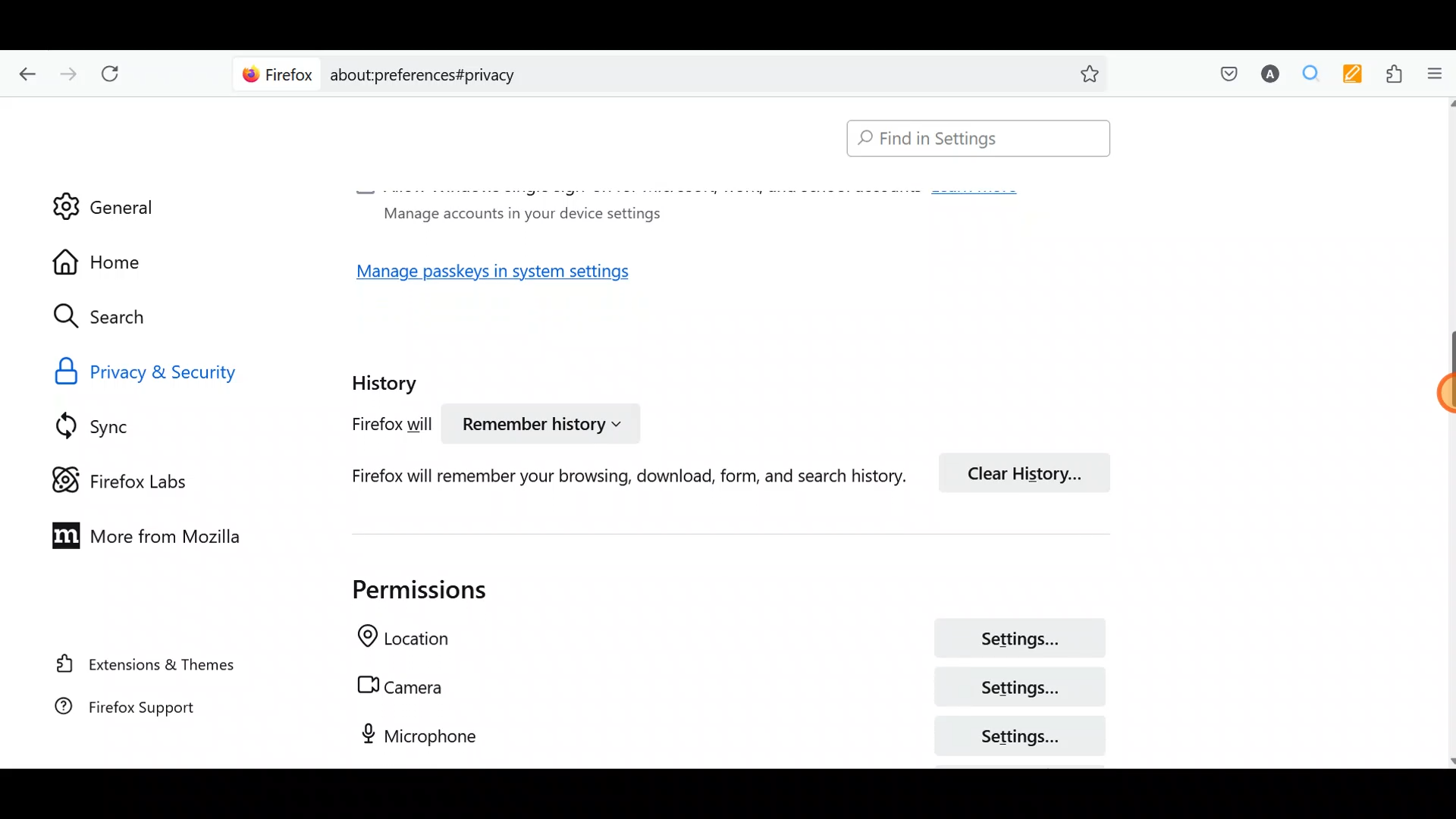 The image size is (1456, 819). I want to click on Firefox labs, so click(133, 479).